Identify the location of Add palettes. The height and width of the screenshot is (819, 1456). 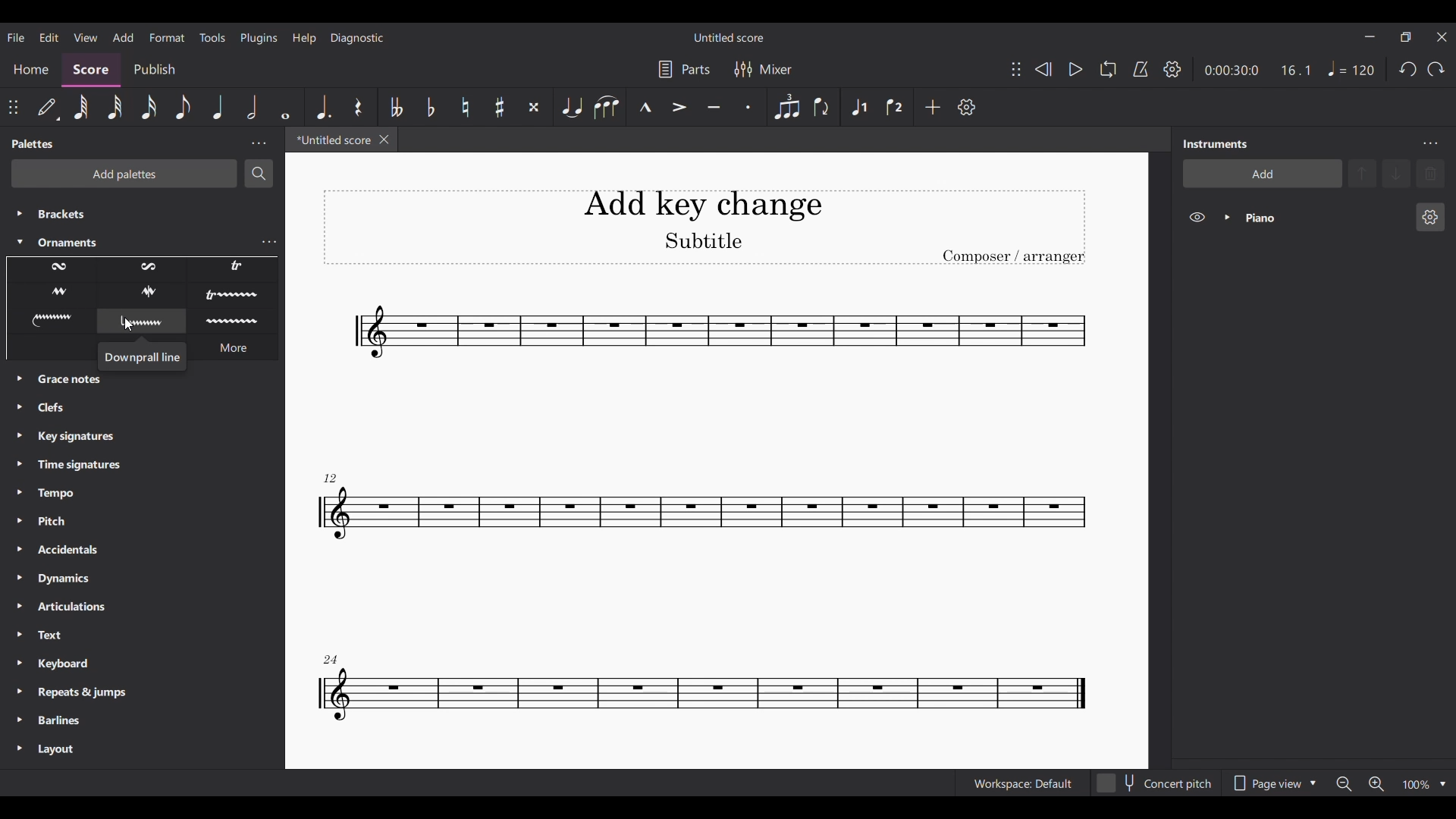
(124, 174).